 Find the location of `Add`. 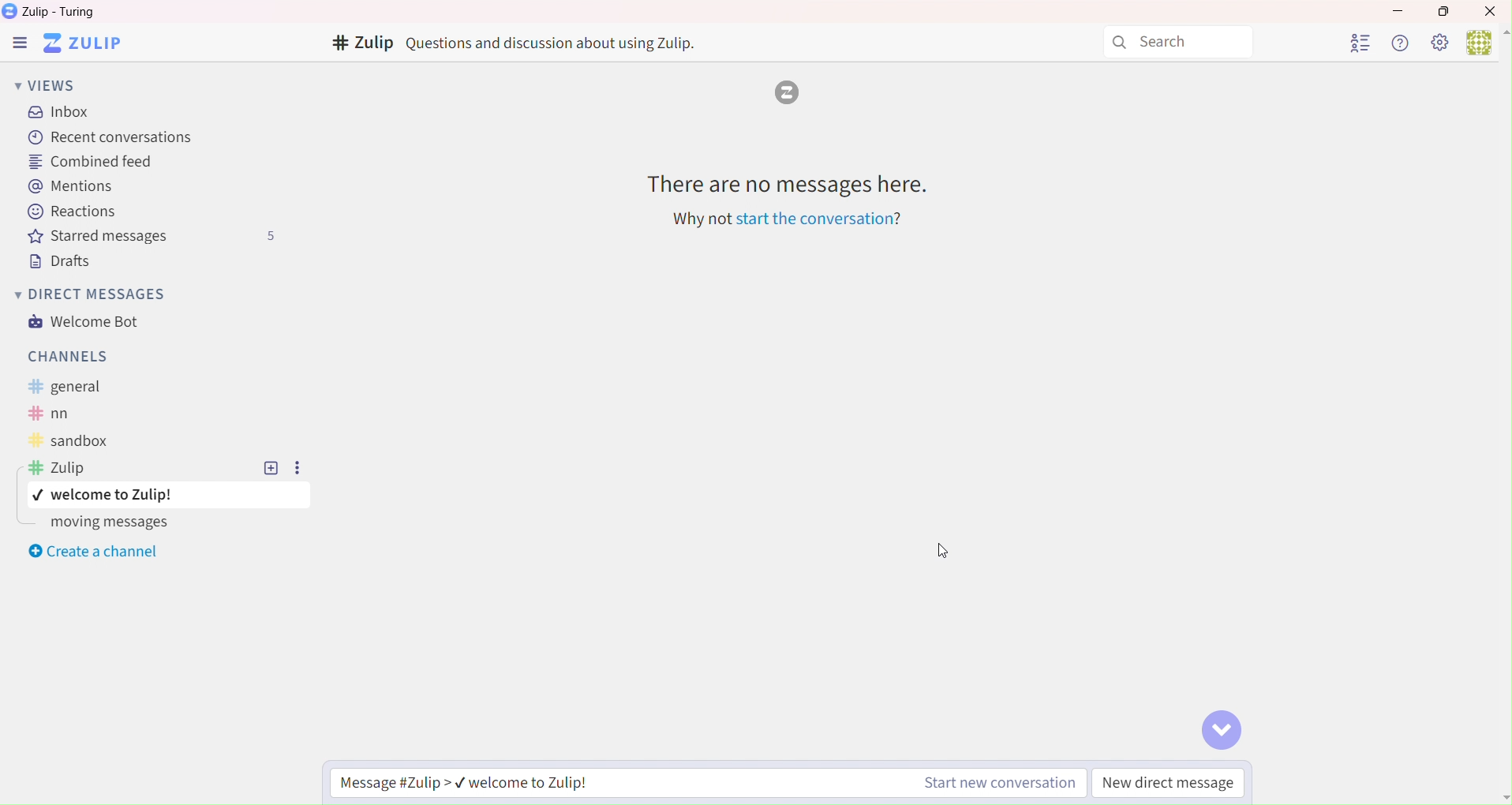

Add is located at coordinates (270, 469).